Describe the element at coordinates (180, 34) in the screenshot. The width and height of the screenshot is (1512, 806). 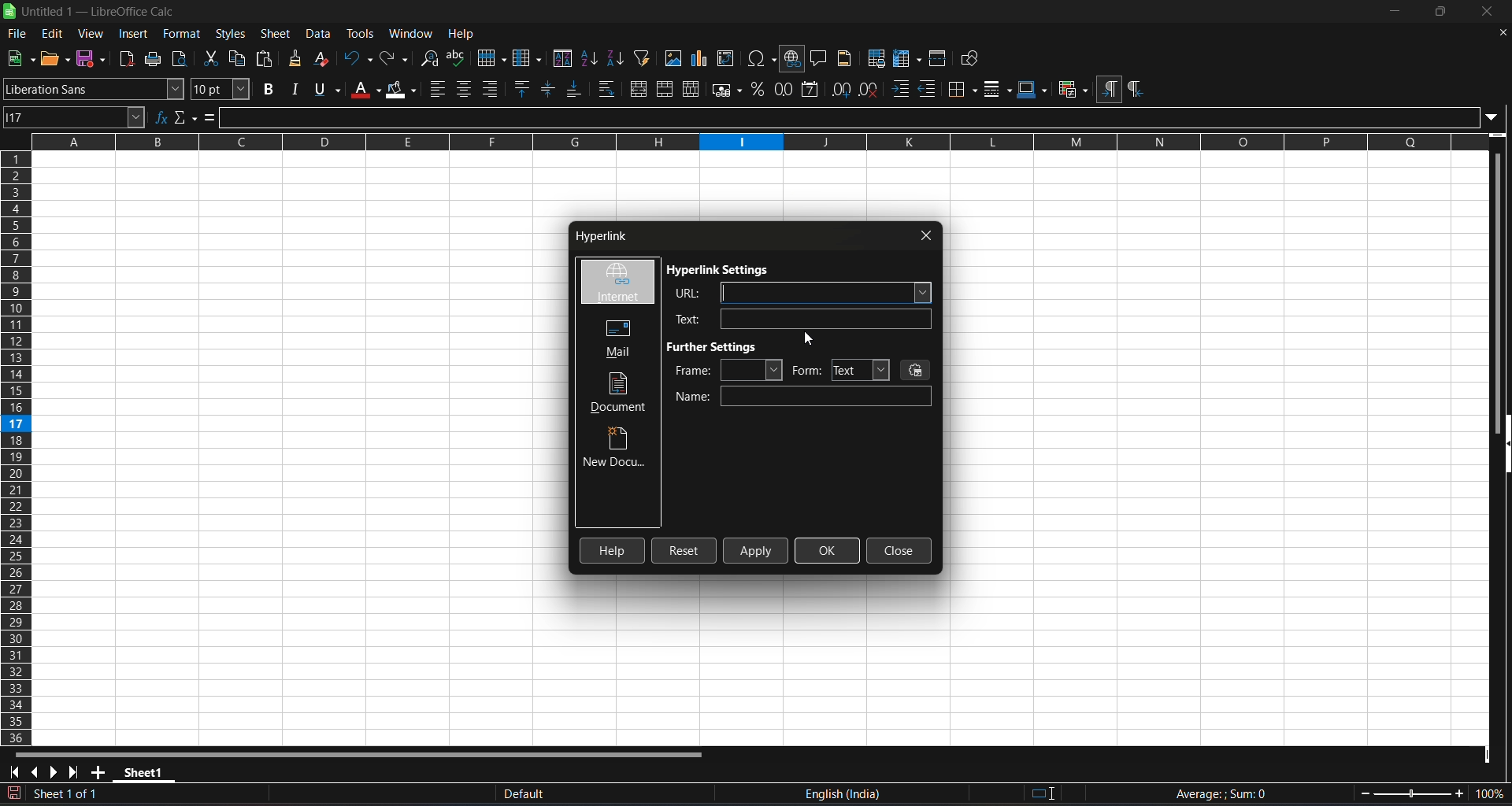
I see `format` at that location.